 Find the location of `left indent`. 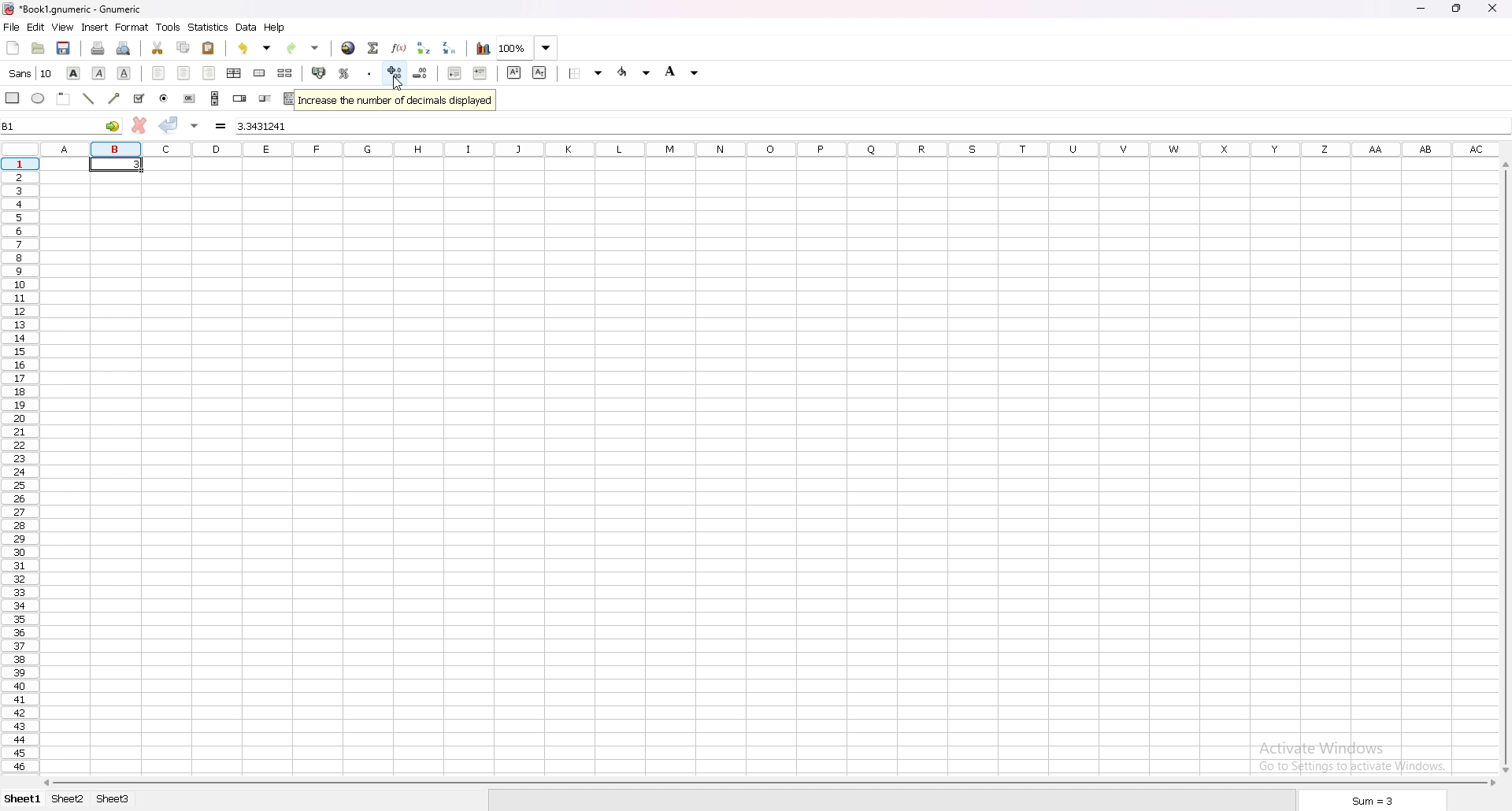

left indent is located at coordinates (159, 73).